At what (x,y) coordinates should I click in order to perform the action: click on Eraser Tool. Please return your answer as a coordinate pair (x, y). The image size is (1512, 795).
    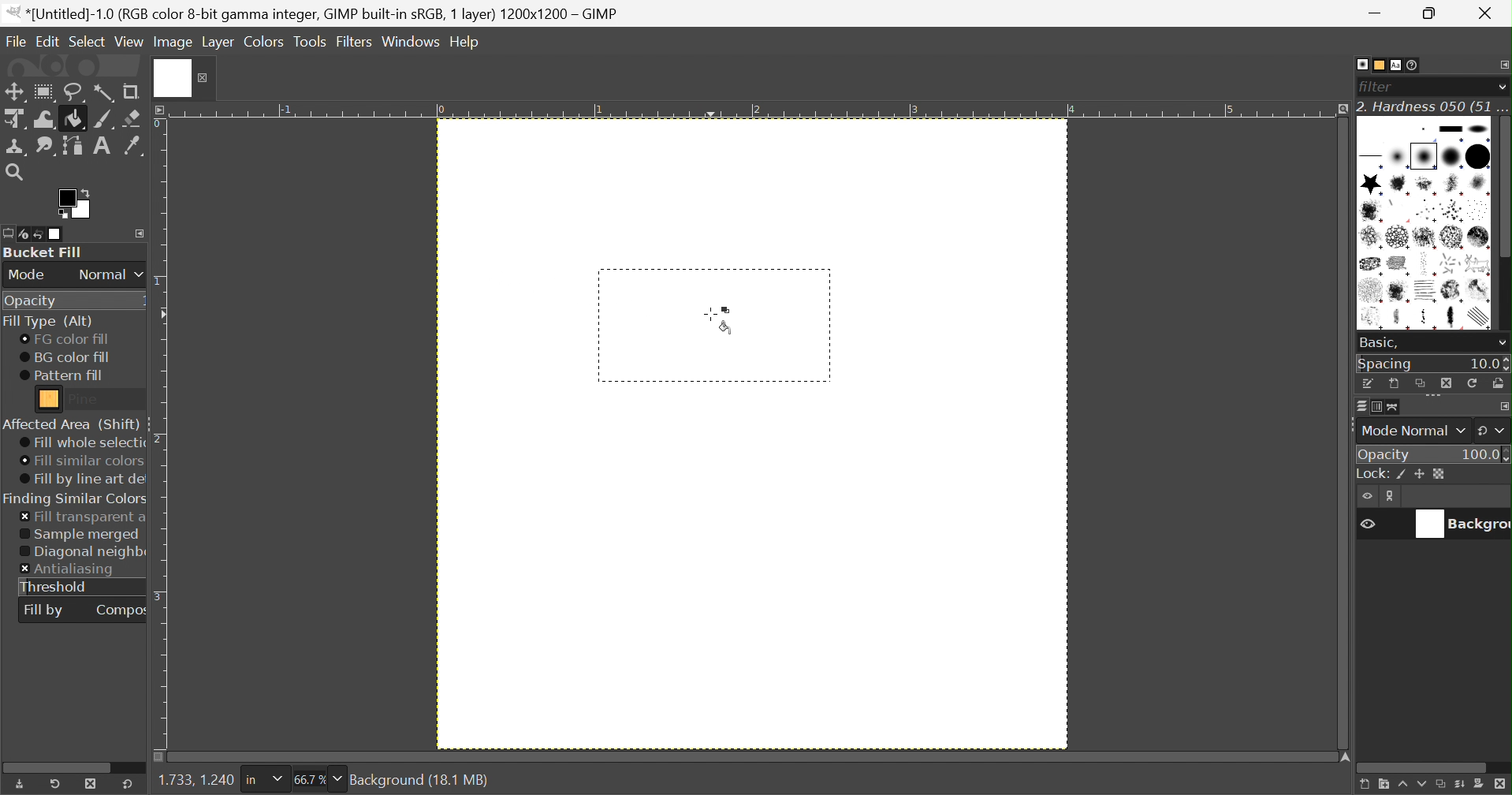
    Looking at the image, I should click on (132, 118).